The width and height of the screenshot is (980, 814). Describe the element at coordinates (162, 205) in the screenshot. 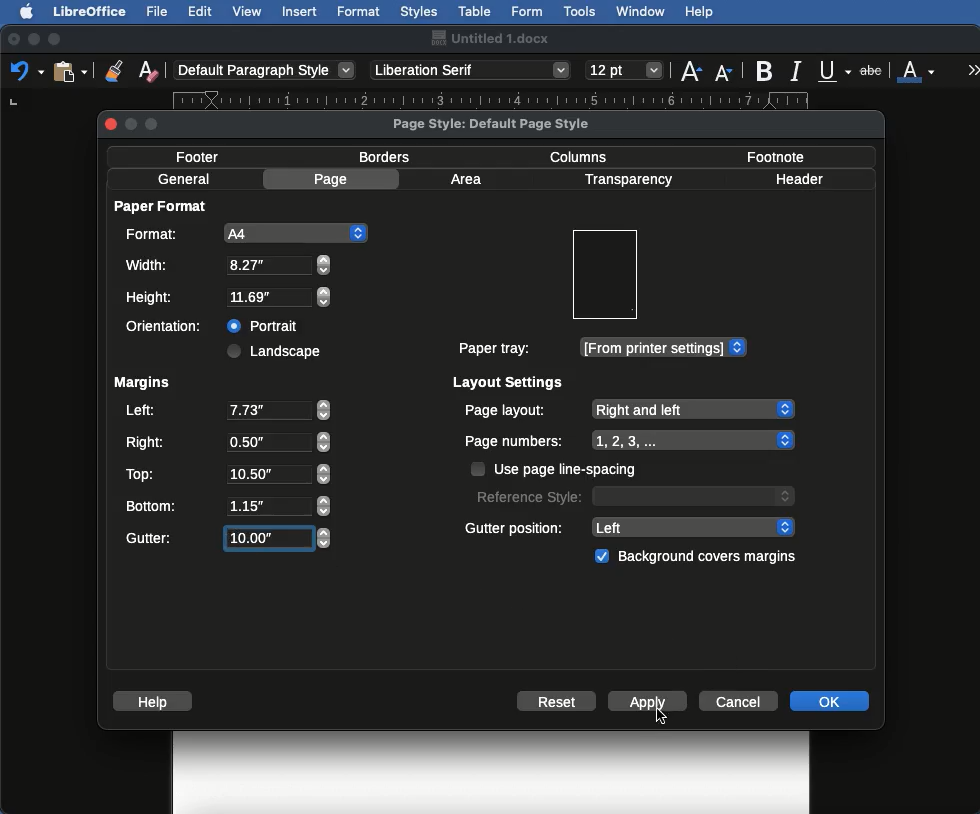

I see `Paper format` at that location.